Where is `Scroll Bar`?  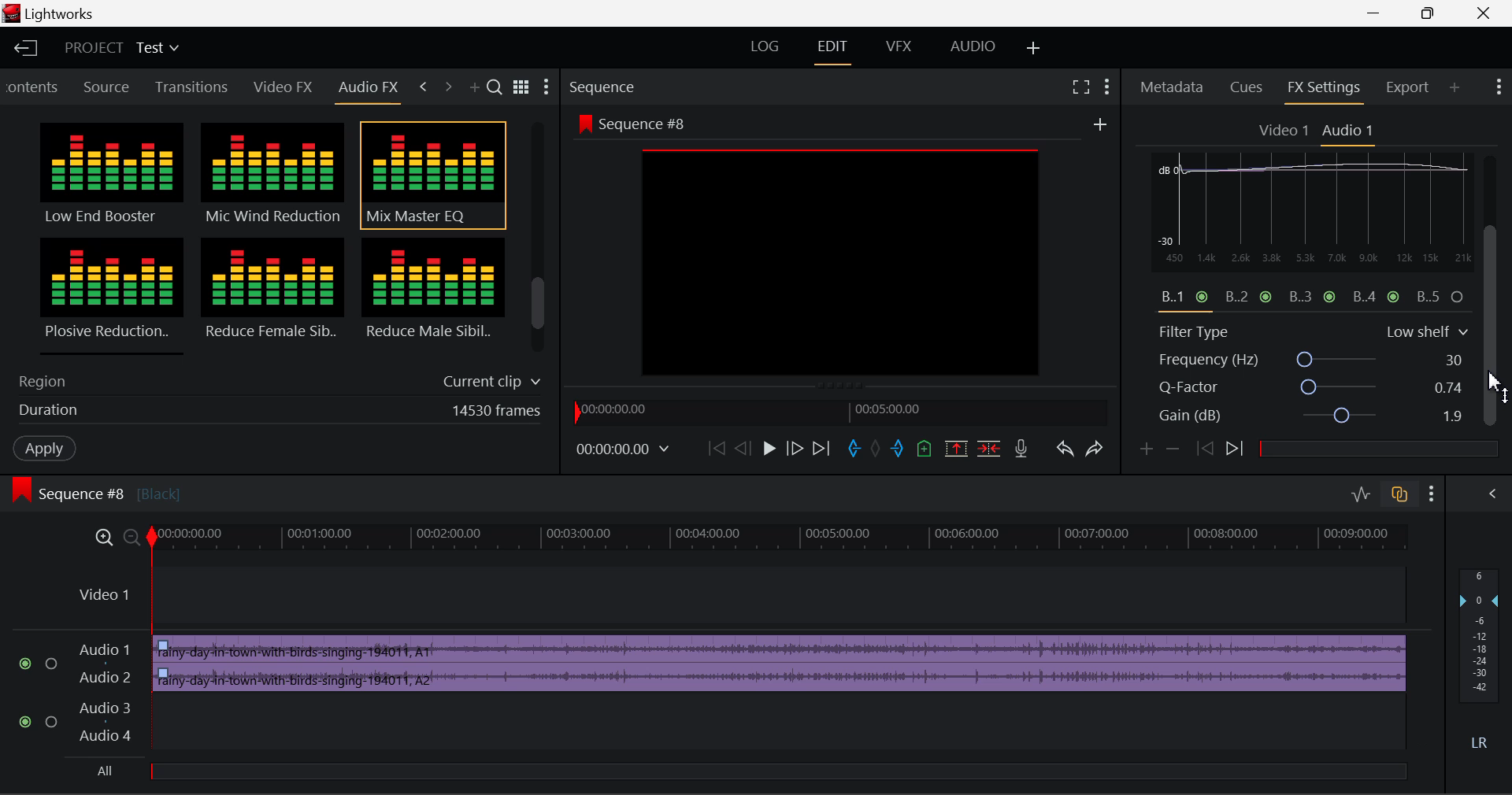
Scroll Bar is located at coordinates (539, 241).